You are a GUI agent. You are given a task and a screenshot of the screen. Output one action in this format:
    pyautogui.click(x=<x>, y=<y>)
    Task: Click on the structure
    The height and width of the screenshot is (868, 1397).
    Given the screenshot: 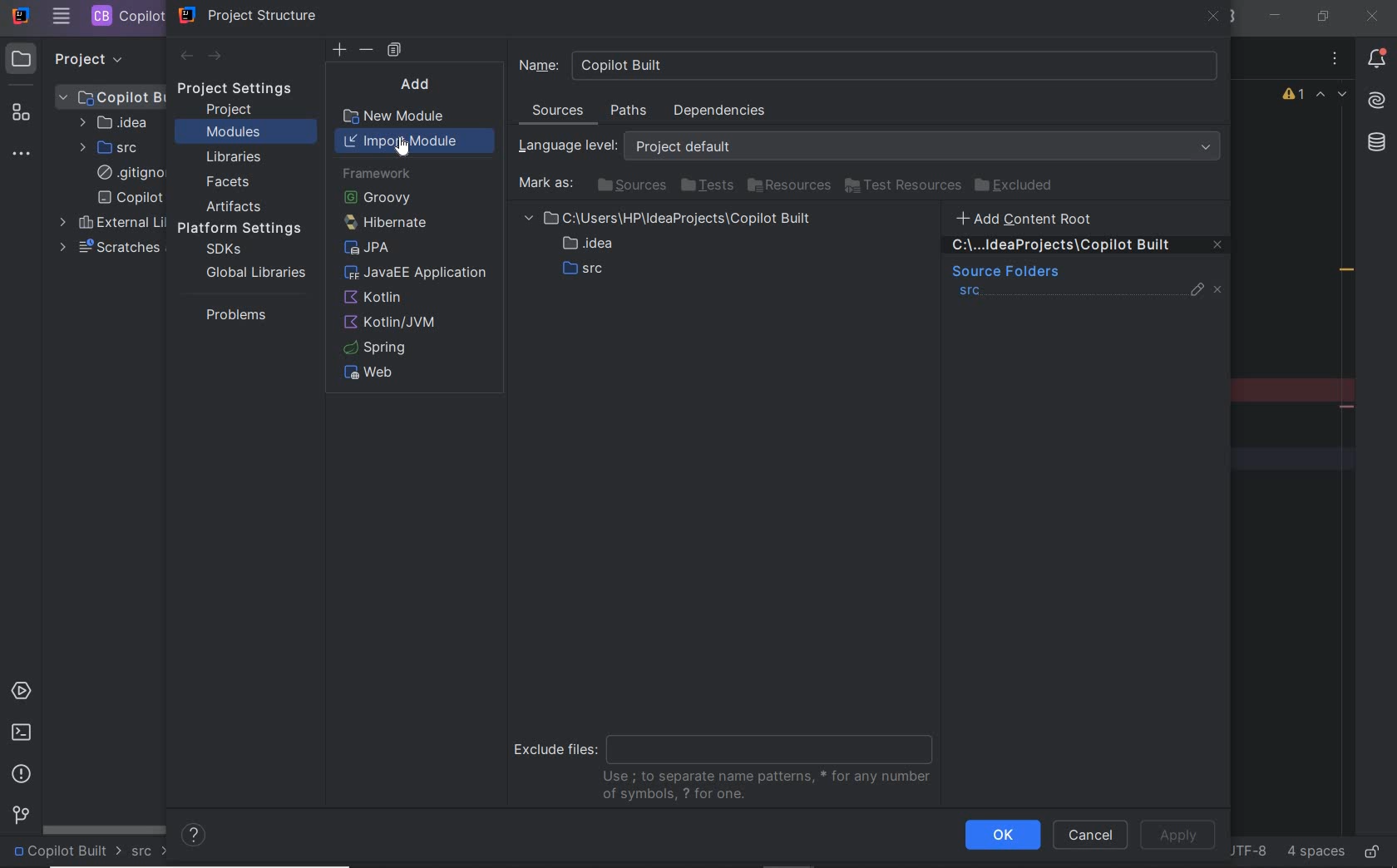 What is the action you would take?
    pyautogui.click(x=23, y=116)
    